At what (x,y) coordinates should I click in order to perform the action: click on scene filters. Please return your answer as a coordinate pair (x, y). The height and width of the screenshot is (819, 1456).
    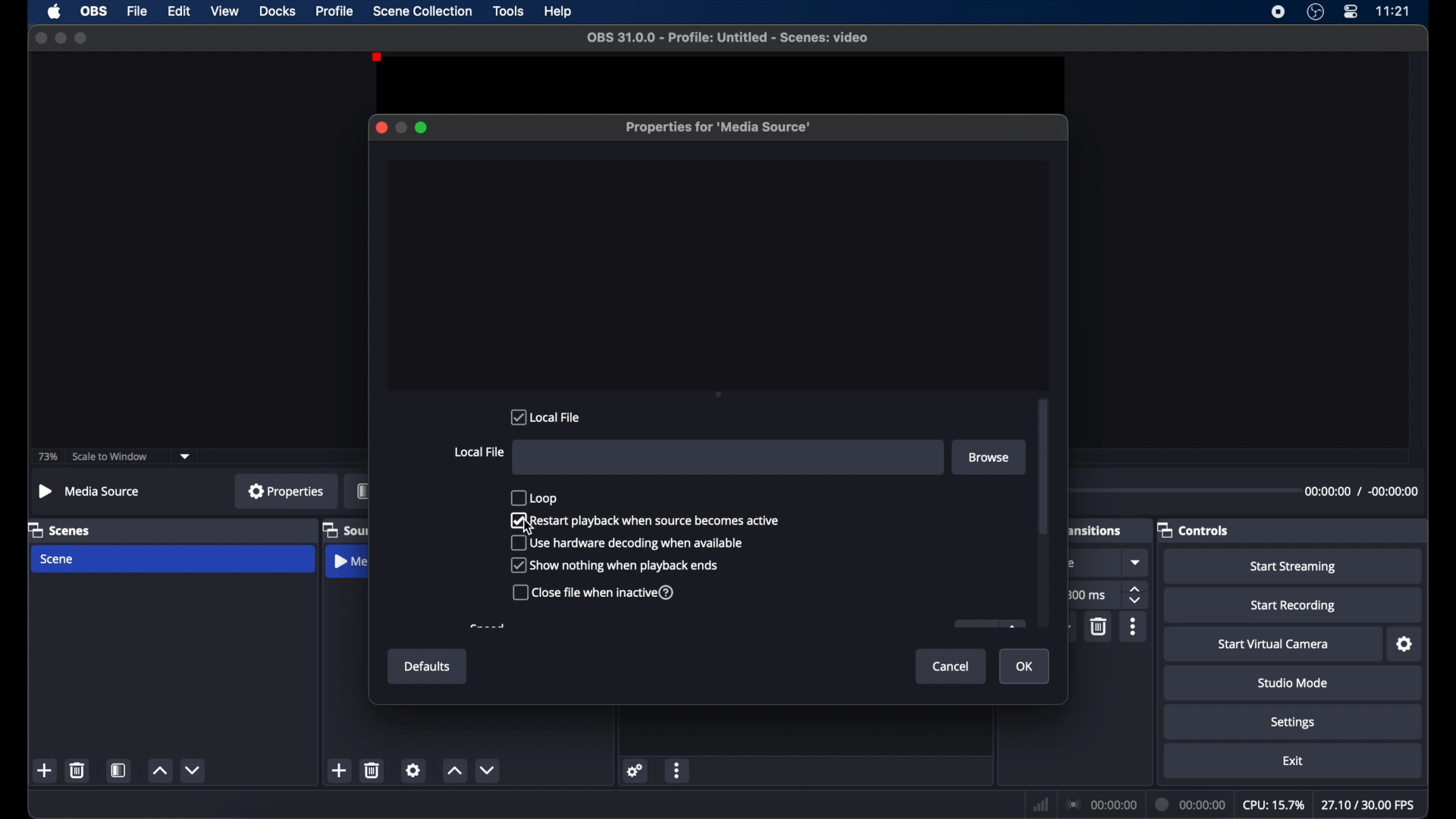
    Looking at the image, I should click on (120, 770).